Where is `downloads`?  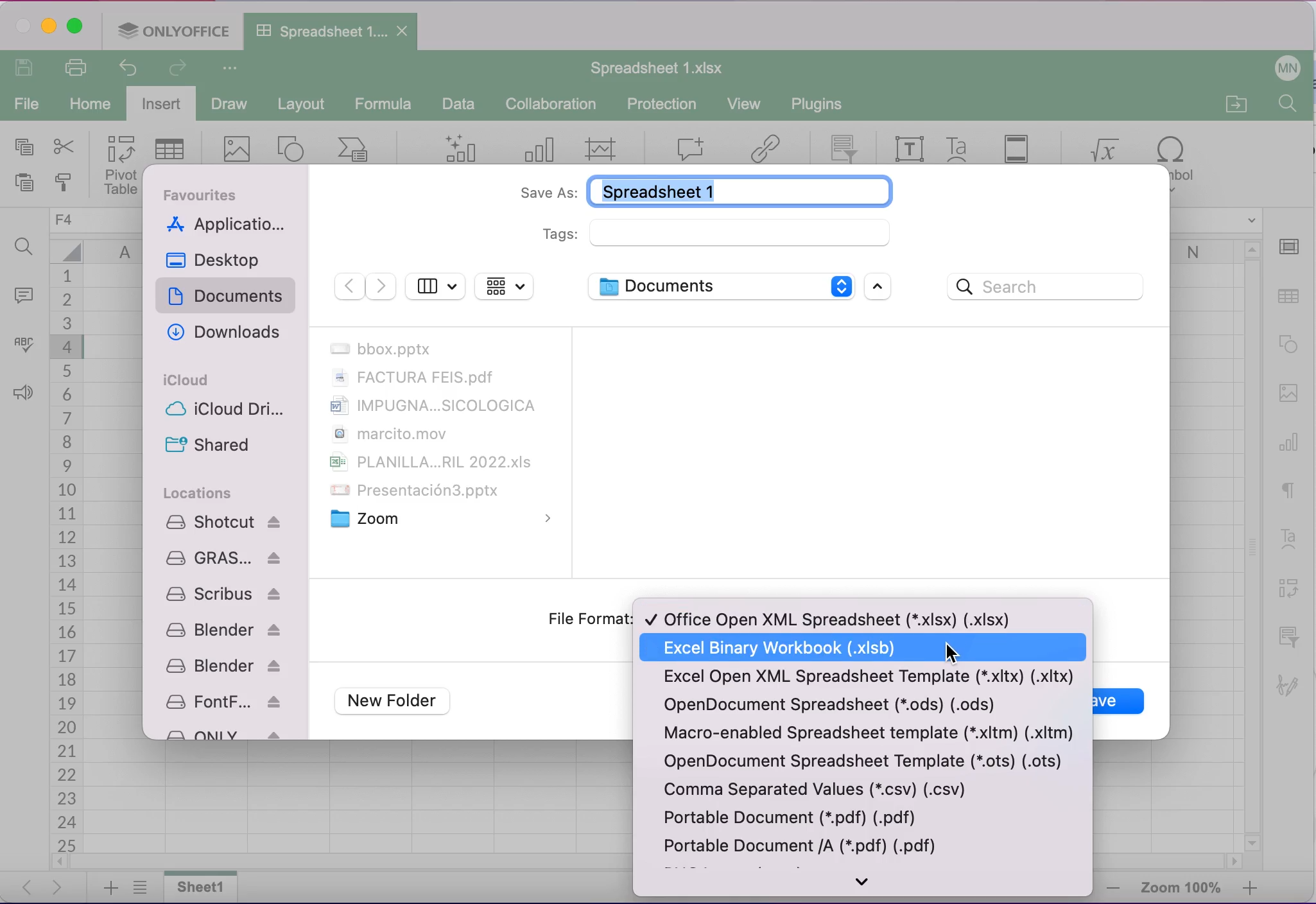
downloads is located at coordinates (221, 334).